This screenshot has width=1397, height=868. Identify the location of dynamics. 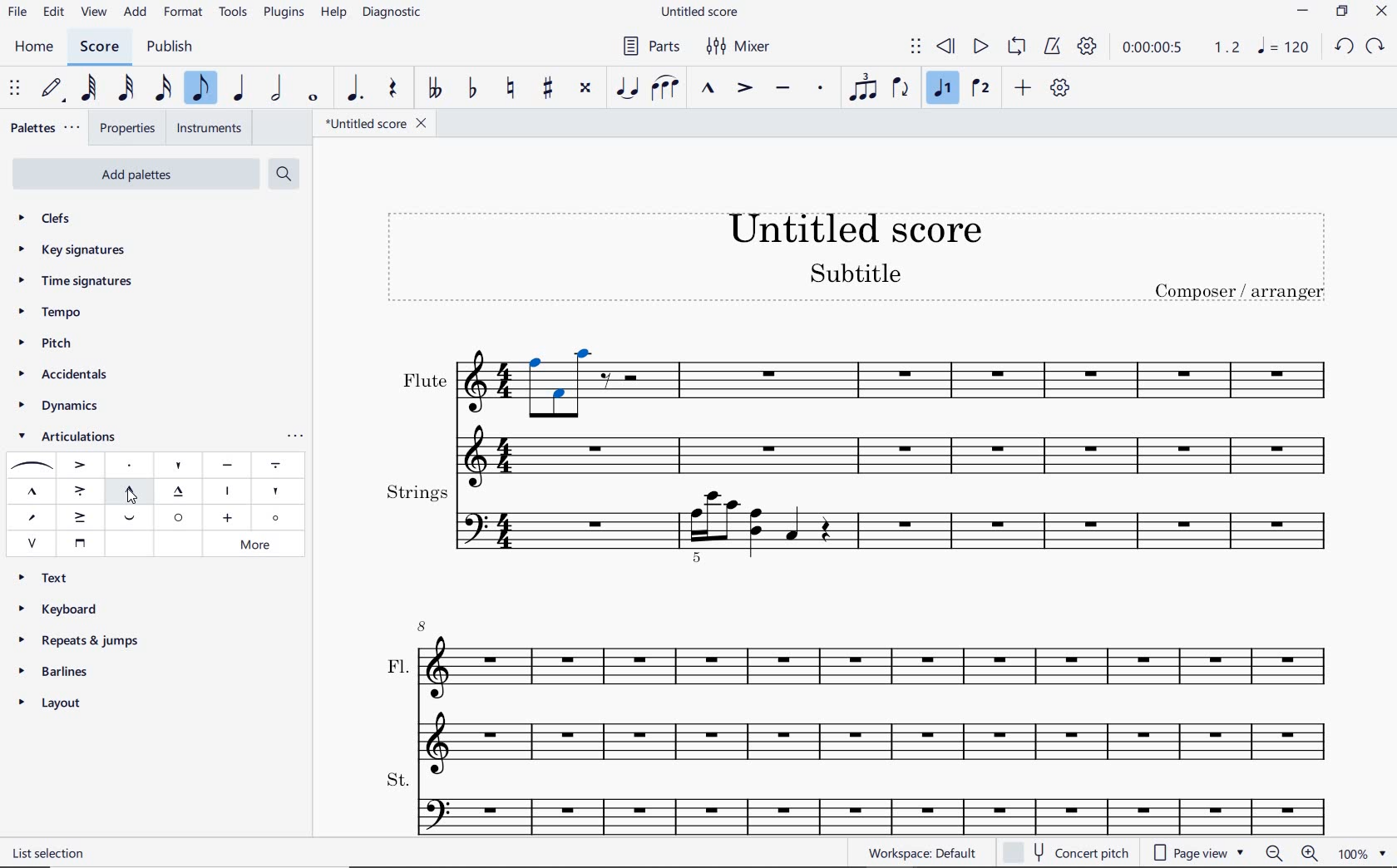
(58, 407).